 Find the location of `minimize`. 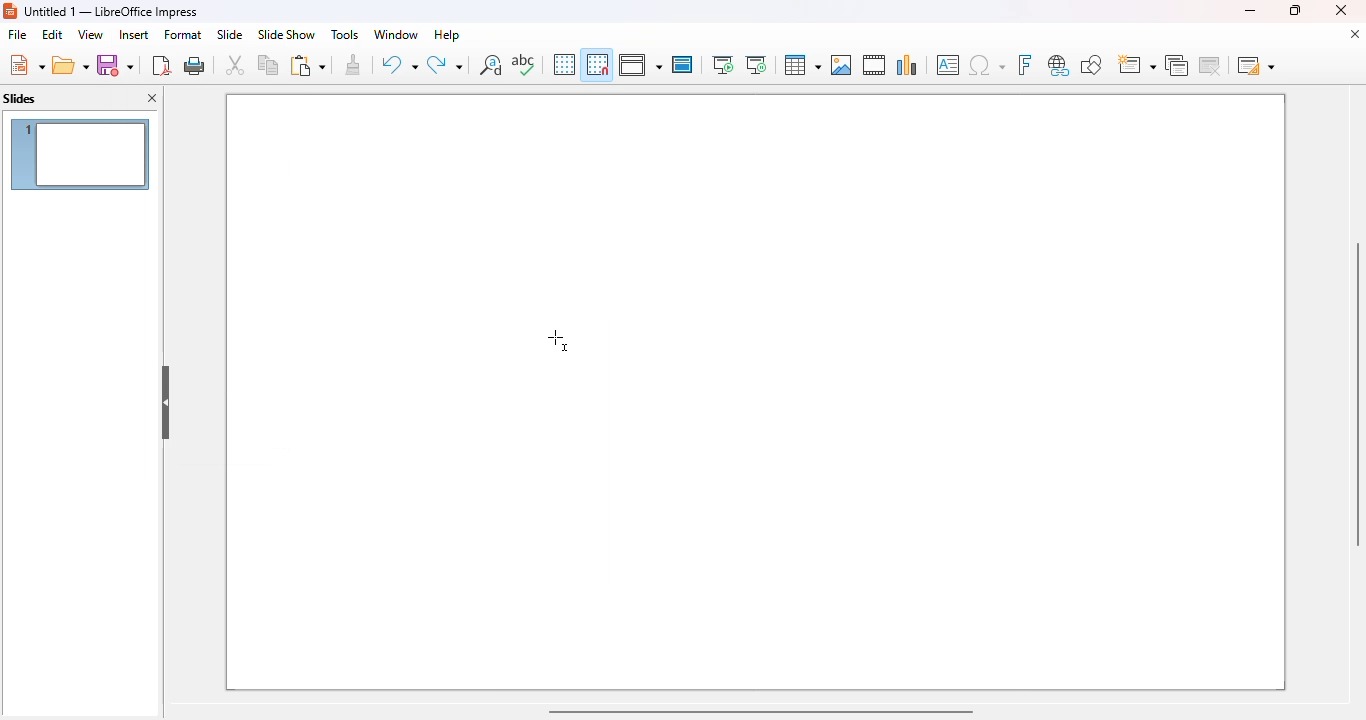

minimize is located at coordinates (1249, 10).